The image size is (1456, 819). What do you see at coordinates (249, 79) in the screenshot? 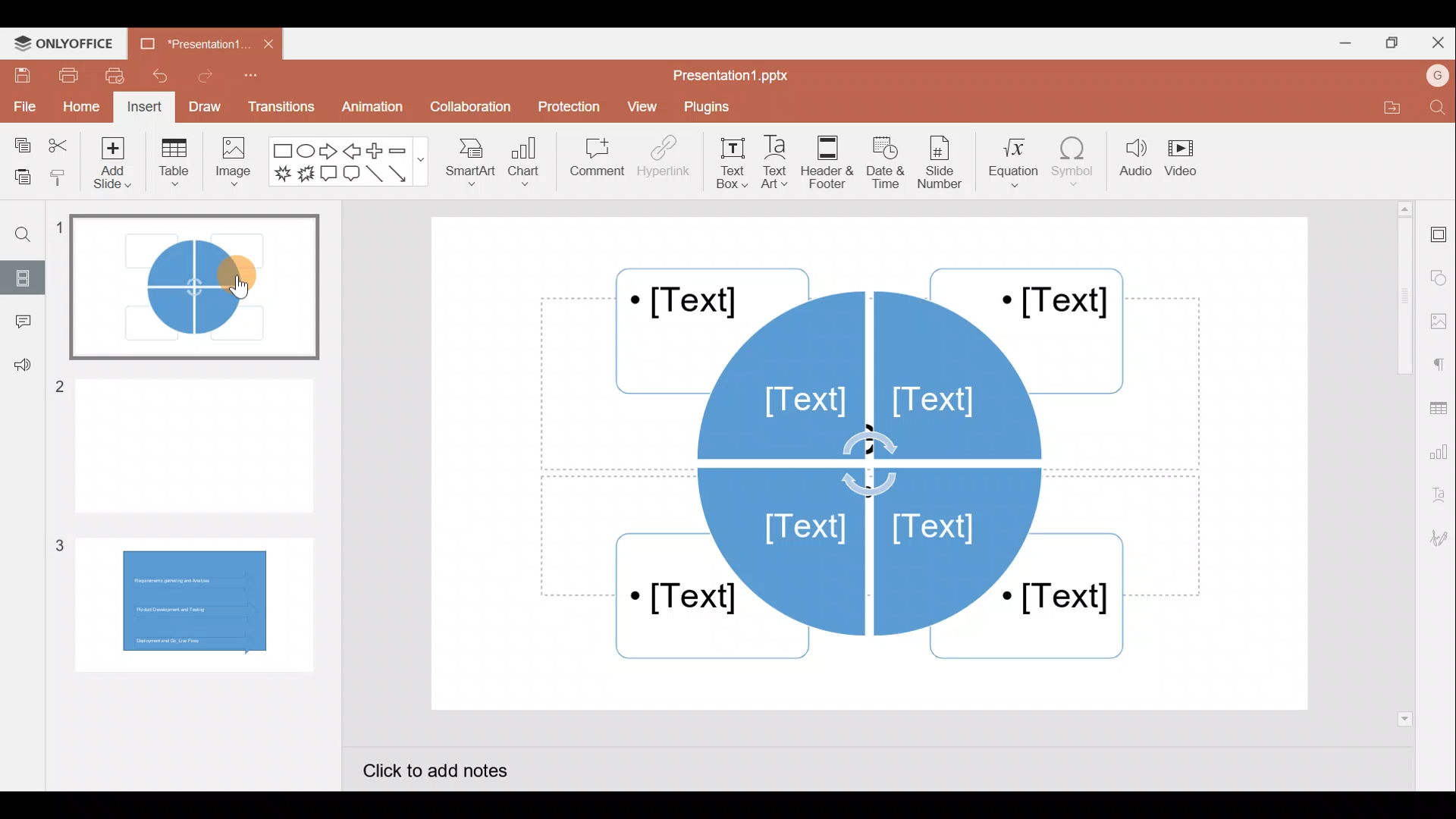
I see `Customize quick access toolbar` at bounding box center [249, 79].